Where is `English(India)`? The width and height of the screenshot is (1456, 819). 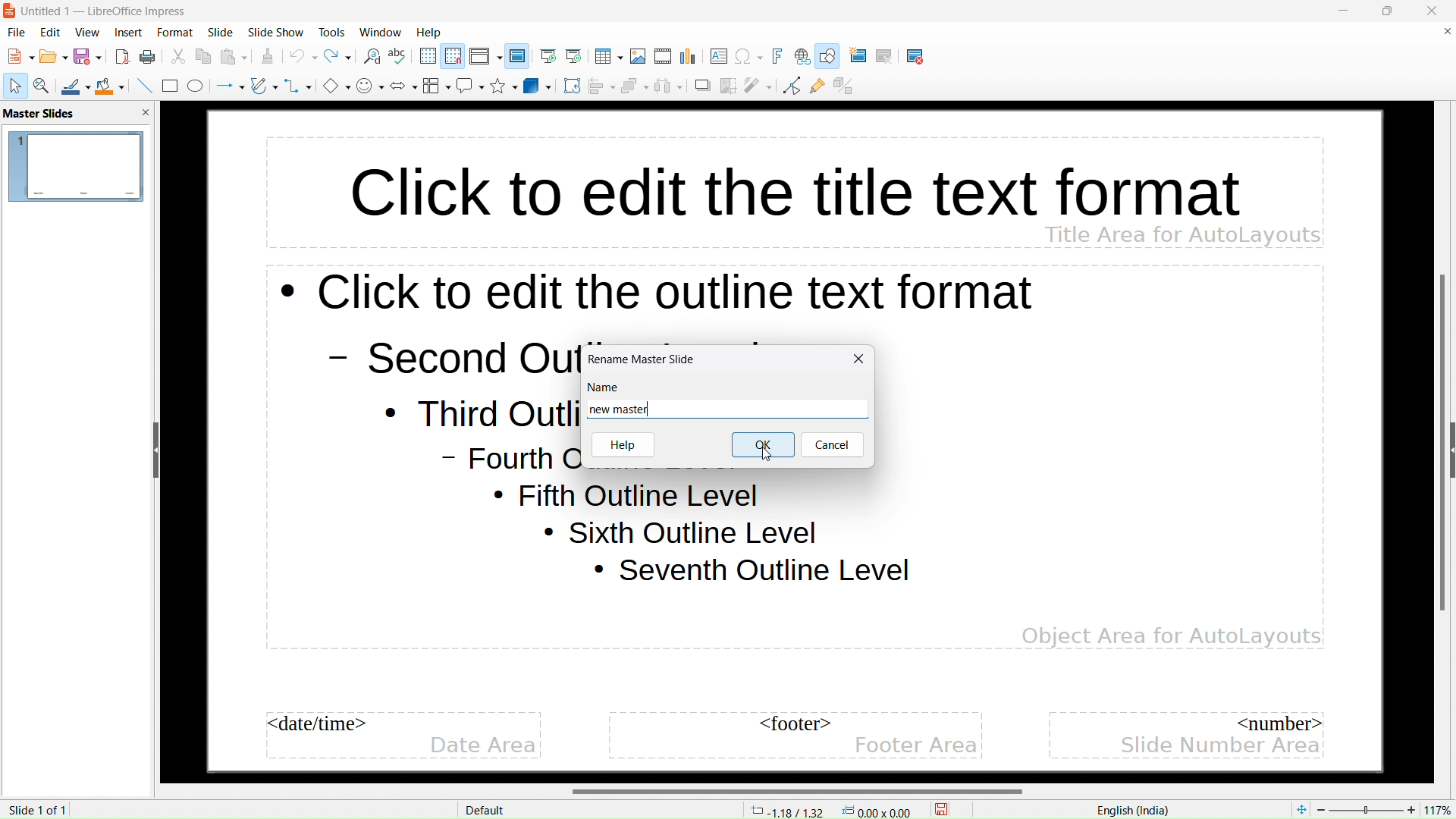
English(India) is located at coordinates (1129, 811).